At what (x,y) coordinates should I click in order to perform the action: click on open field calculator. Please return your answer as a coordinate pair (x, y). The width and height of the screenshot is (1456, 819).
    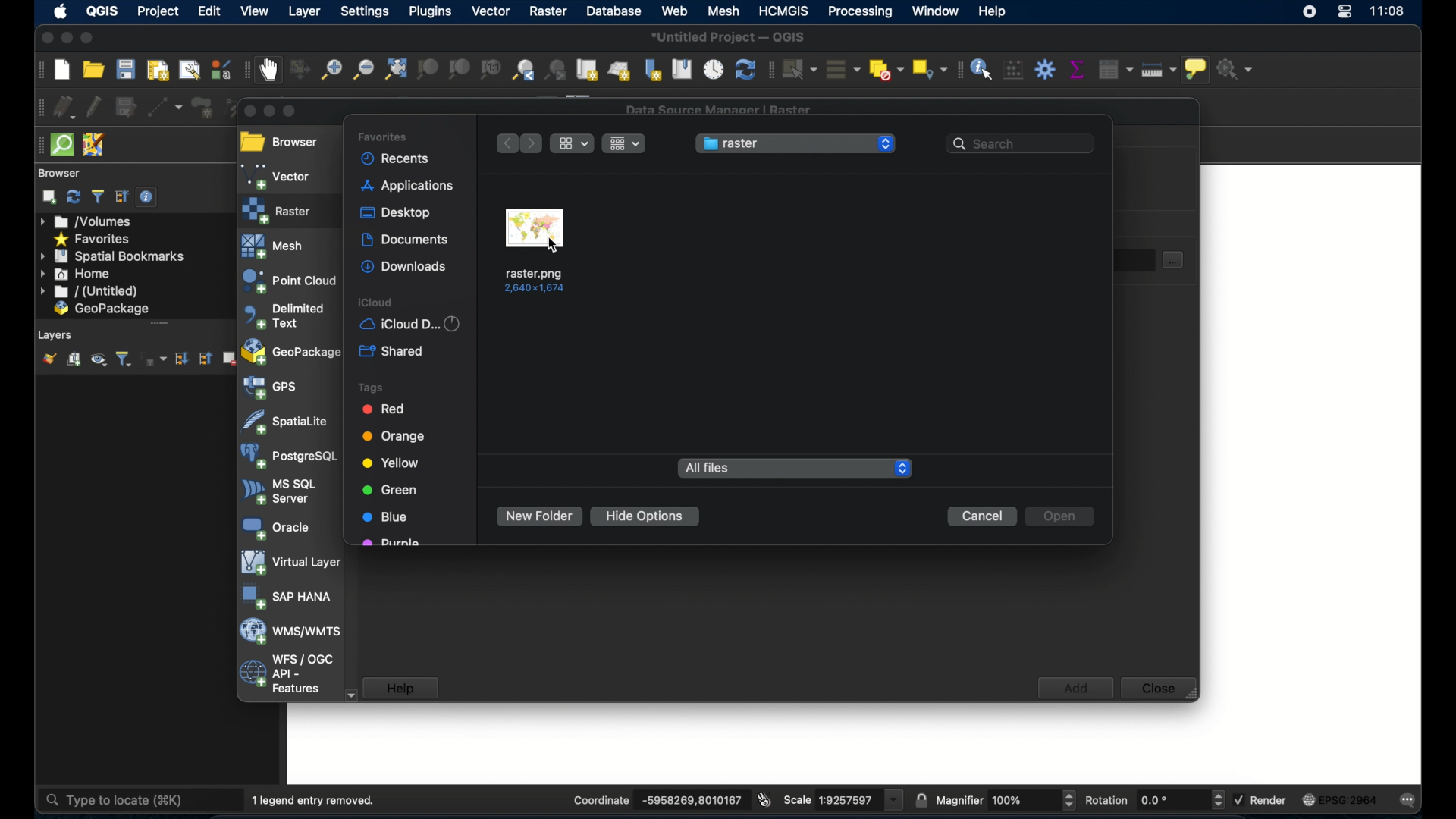
    Looking at the image, I should click on (1013, 69).